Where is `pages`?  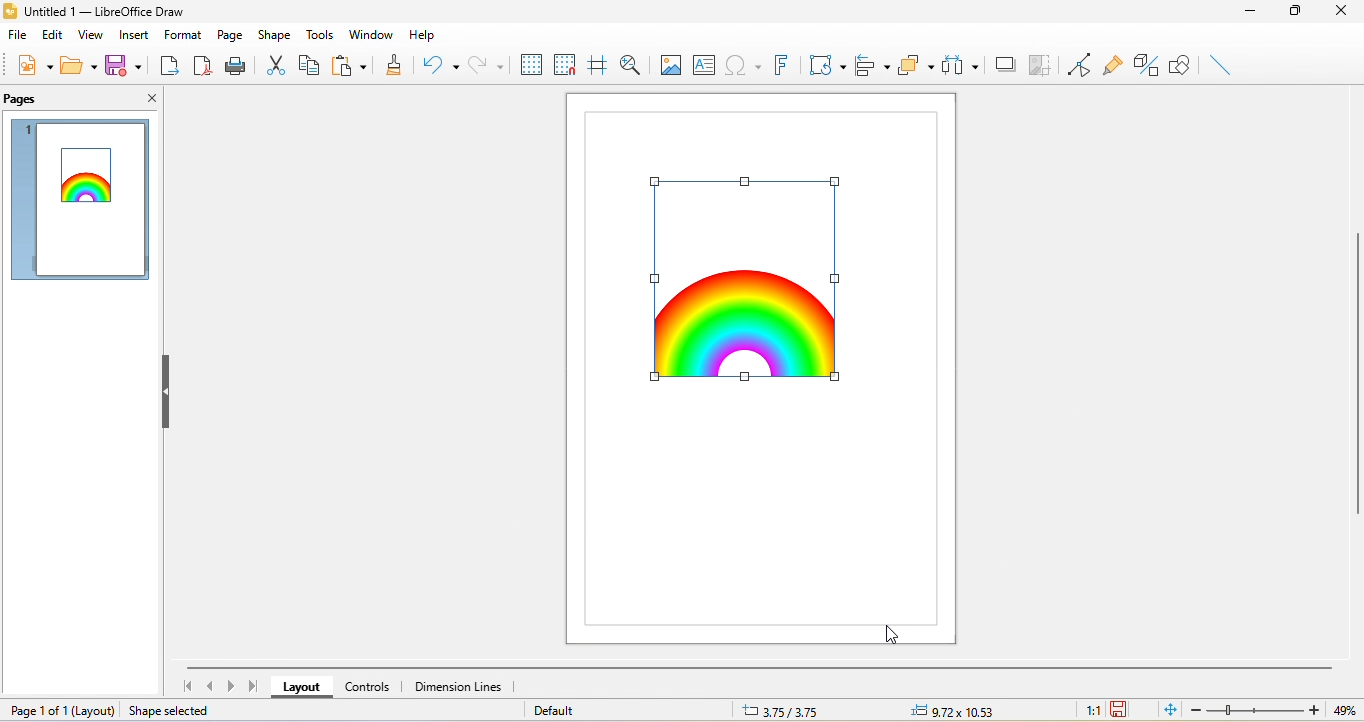
pages is located at coordinates (25, 101).